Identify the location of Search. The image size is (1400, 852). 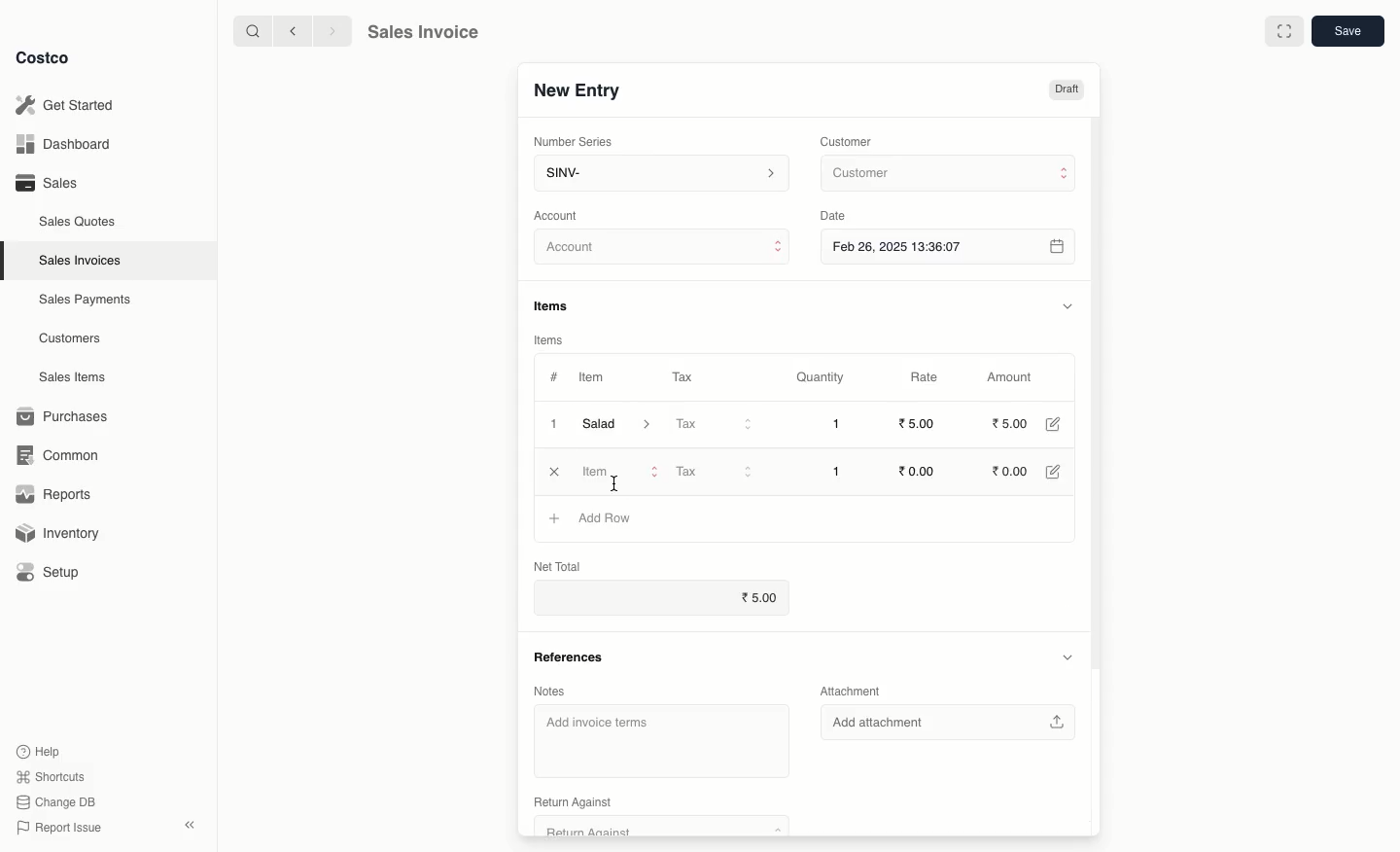
(250, 30).